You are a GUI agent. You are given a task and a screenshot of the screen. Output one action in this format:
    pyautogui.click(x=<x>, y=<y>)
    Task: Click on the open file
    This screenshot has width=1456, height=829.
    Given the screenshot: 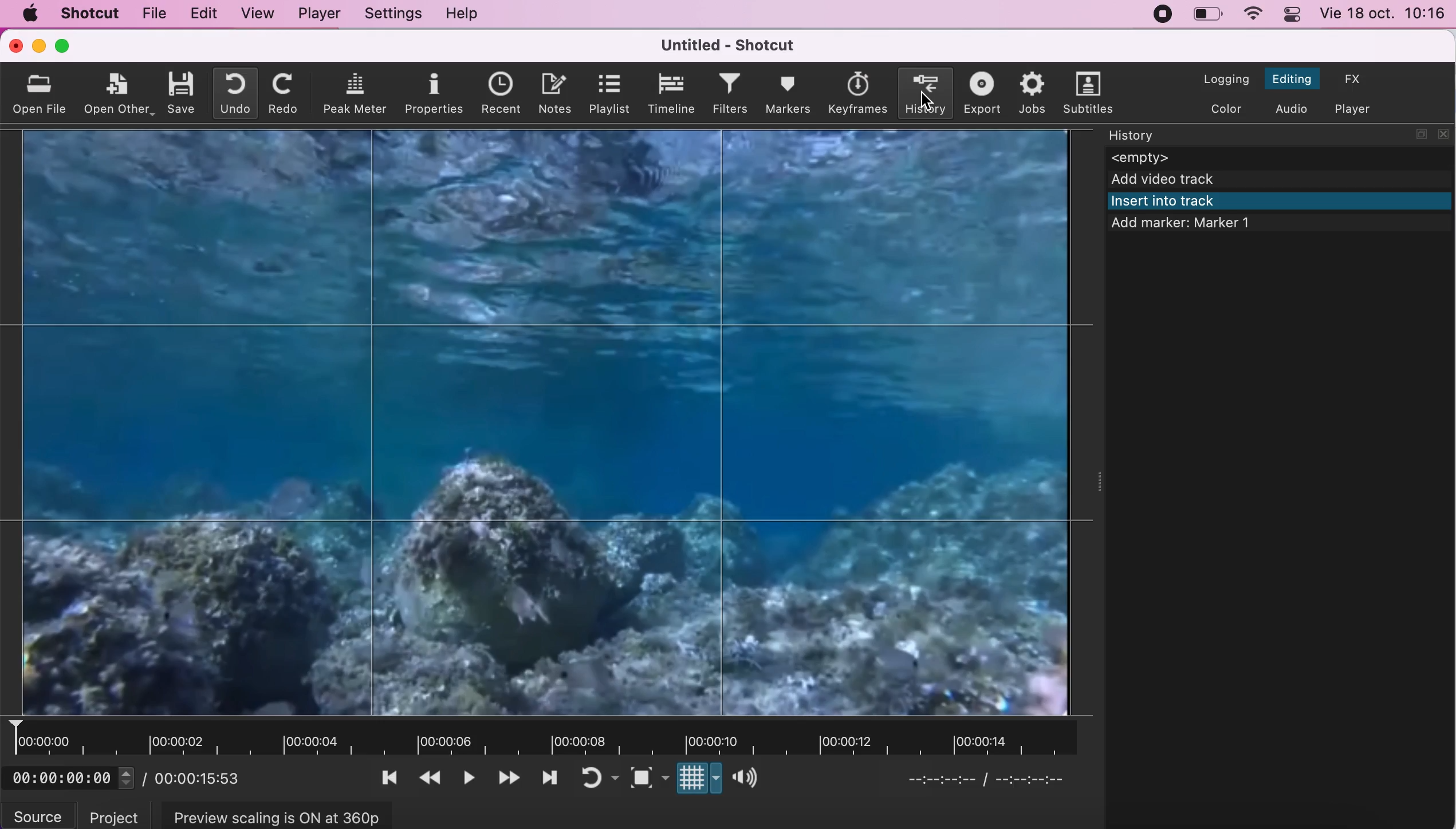 What is the action you would take?
    pyautogui.click(x=42, y=92)
    